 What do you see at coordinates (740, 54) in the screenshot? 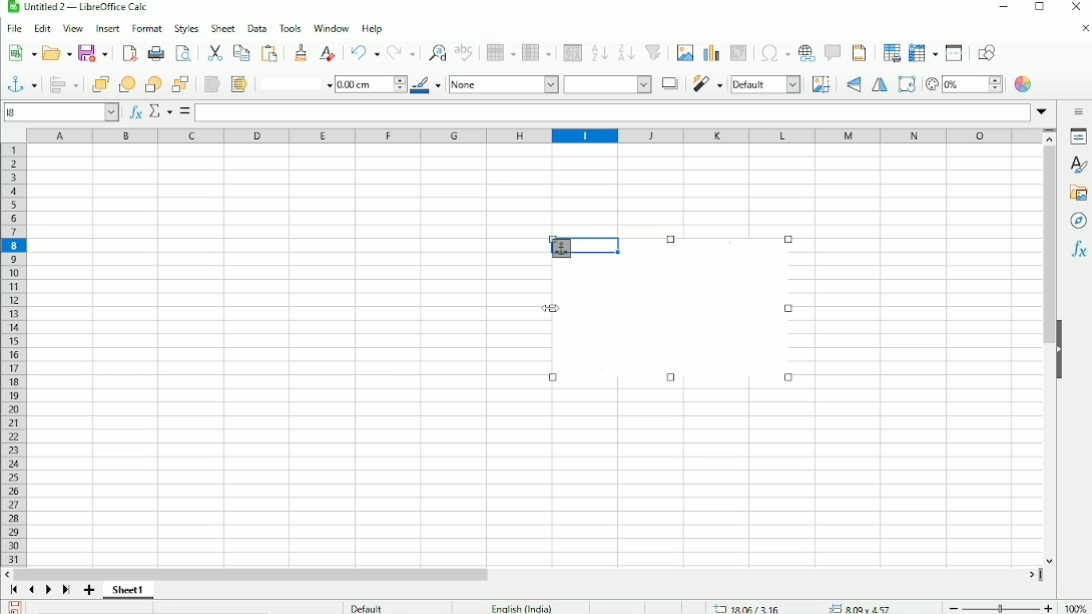
I see `Insert or edit pivot table` at bounding box center [740, 54].